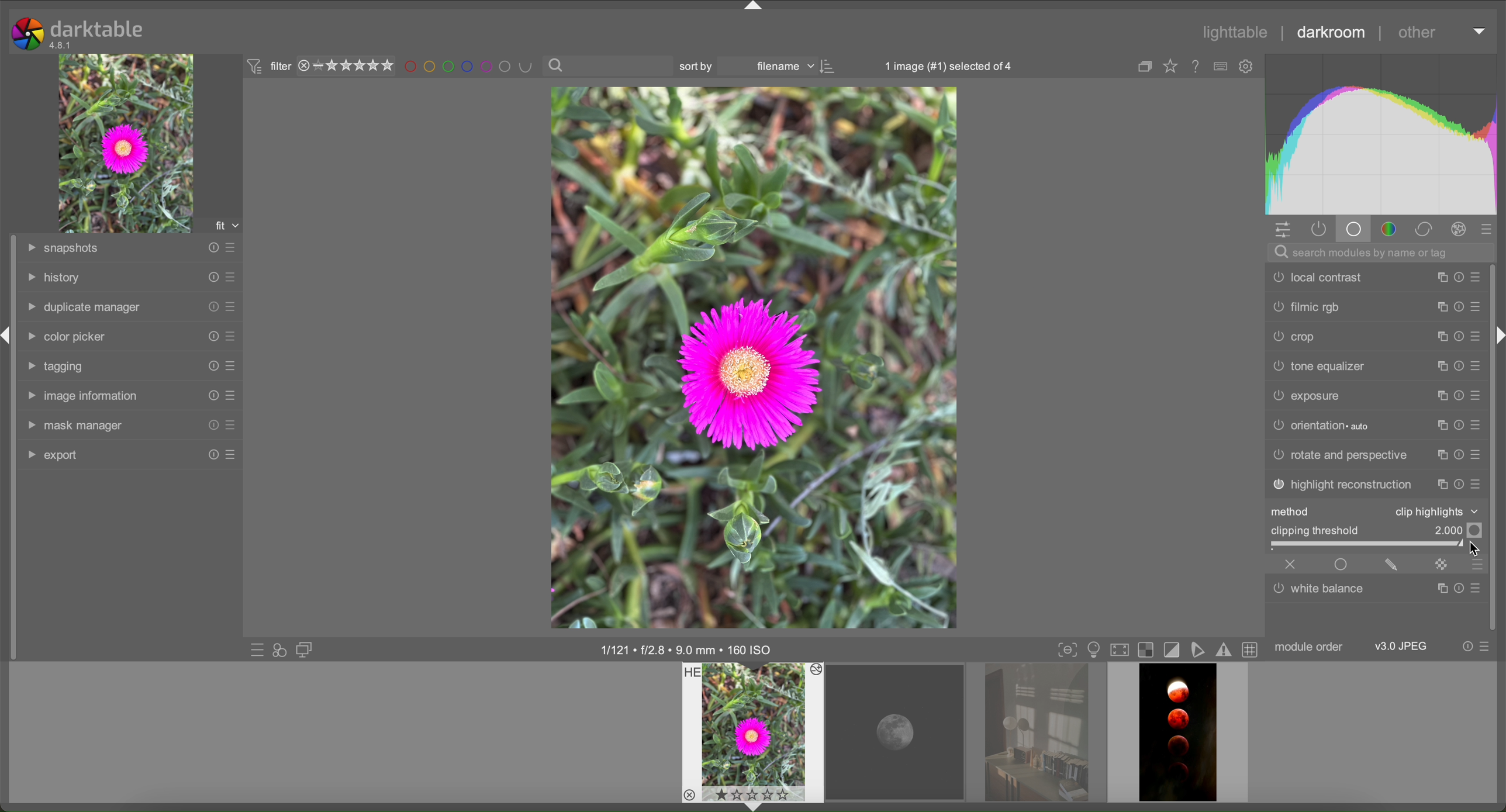 The height and width of the screenshot is (812, 1506). What do you see at coordinates (783, 67) in the screenshot?
I see `filename` at bounding box center [783, 67].